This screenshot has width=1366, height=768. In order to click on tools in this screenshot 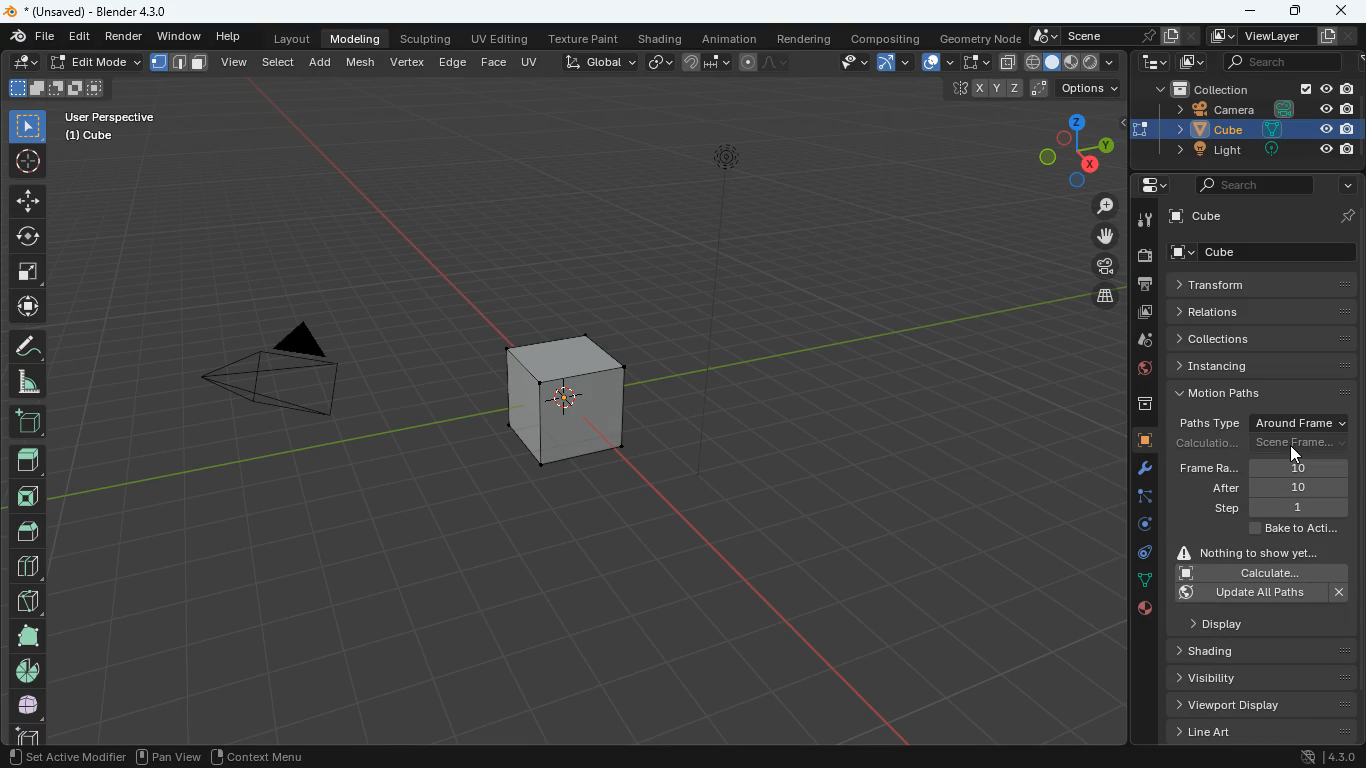, I will do `click(1142, 221)`.